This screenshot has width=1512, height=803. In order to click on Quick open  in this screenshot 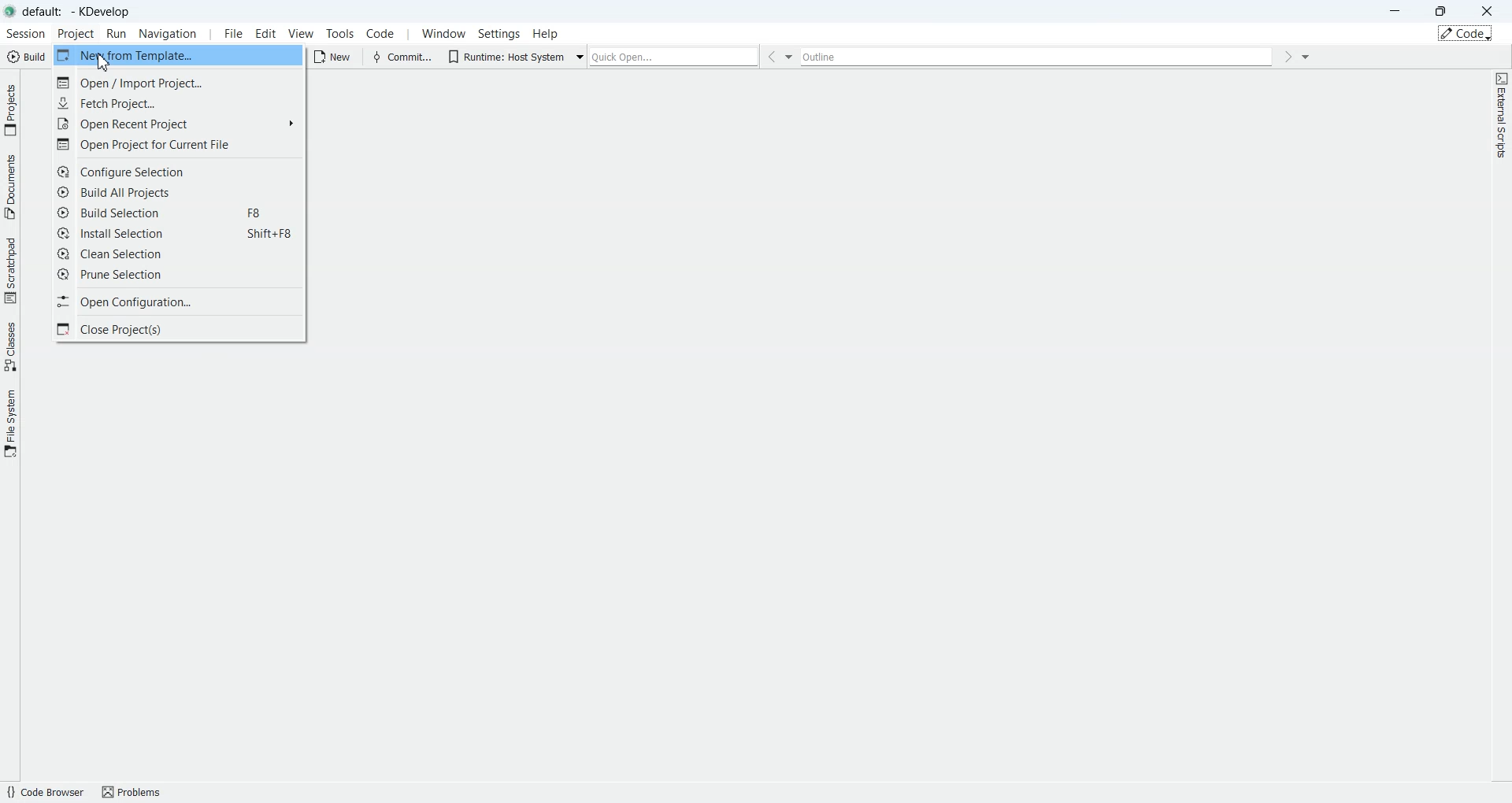, I will do `click(674, 57)`.